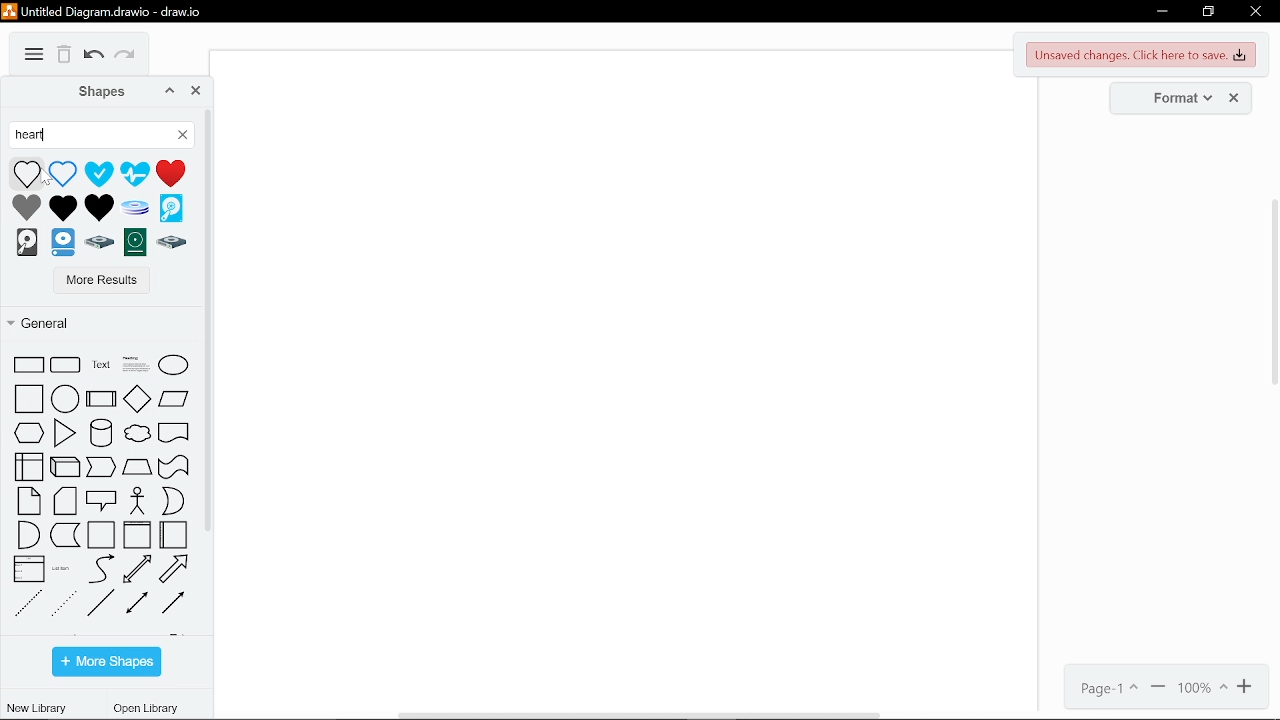 This screenshot has width=1280, height=720. I want to click on container, so click(137, 535).